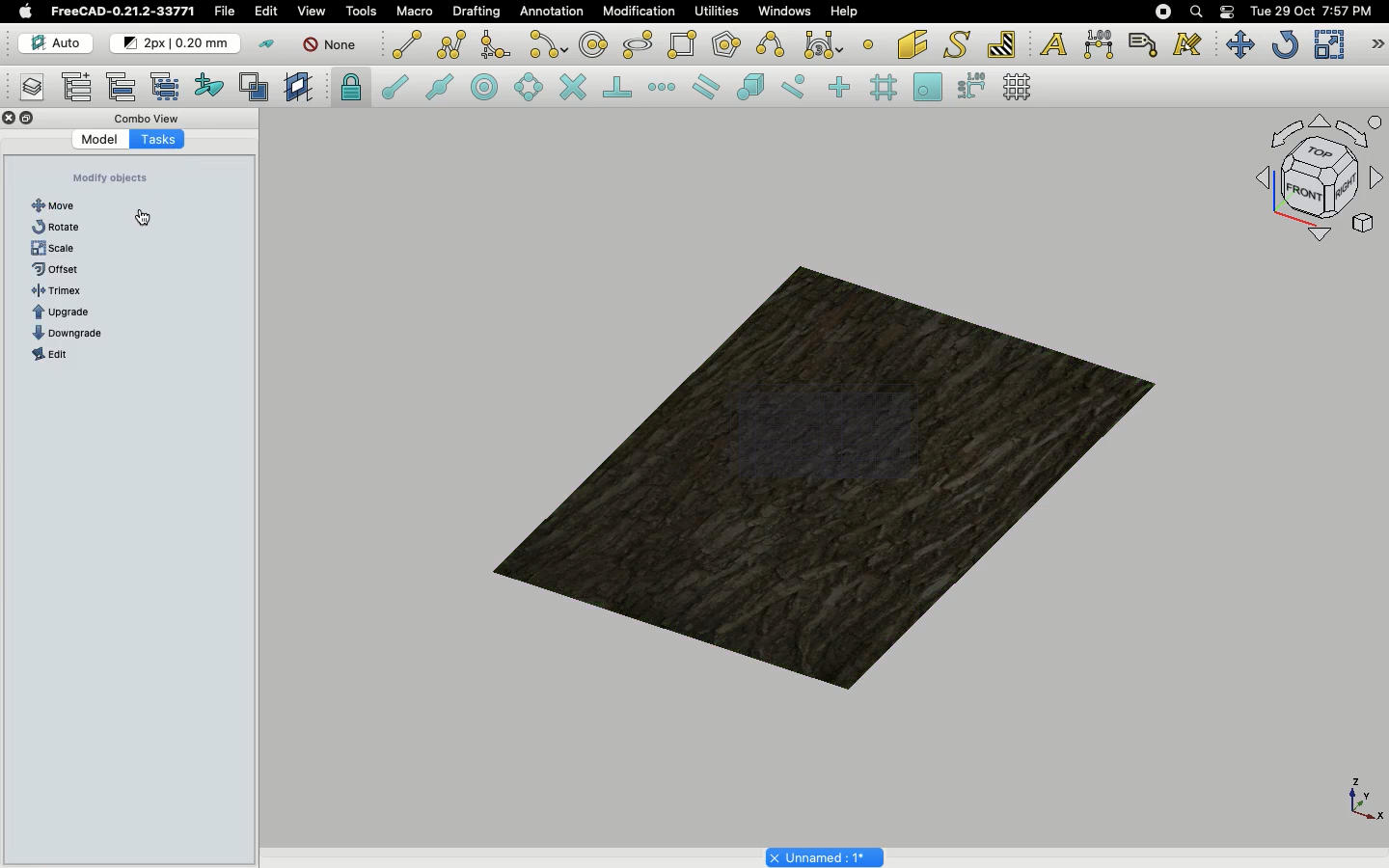 This screenshot has height=868, width=1389. Describe the element at coordinates (407, 44) in the screenshot. I see `Line` at that location.